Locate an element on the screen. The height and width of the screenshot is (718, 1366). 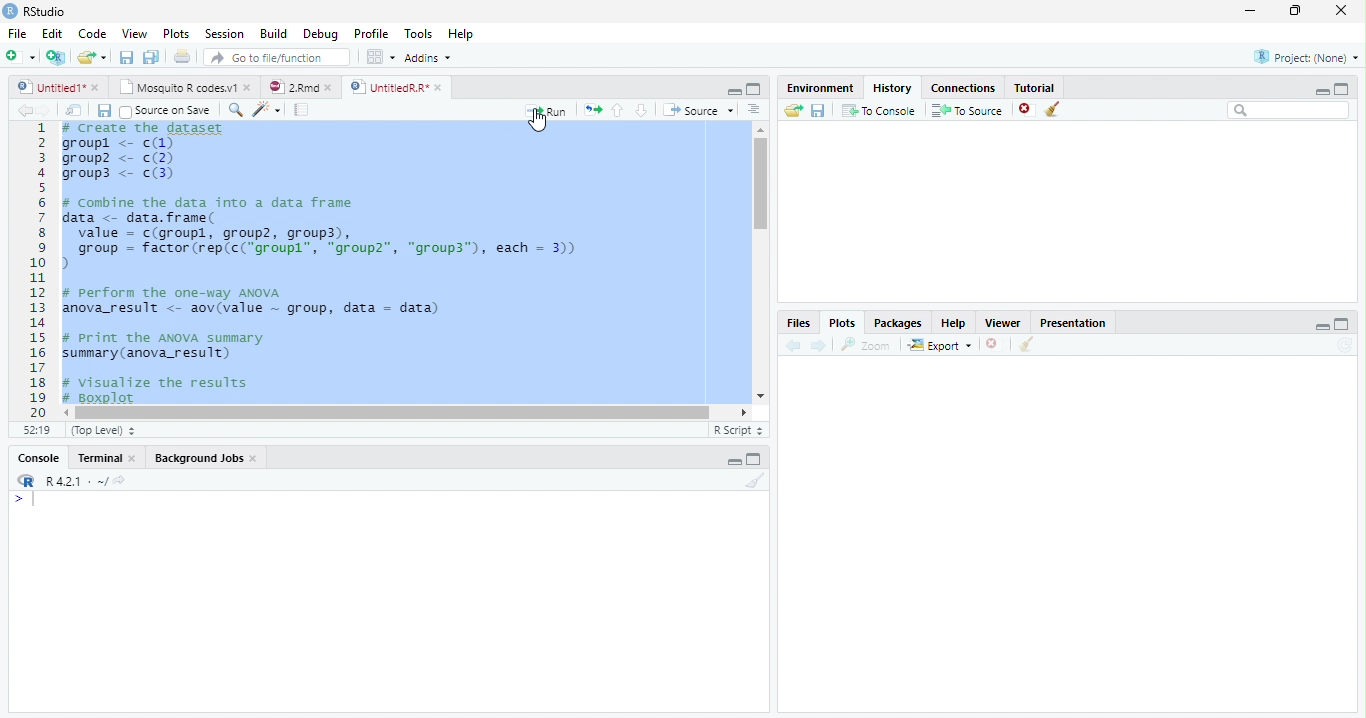
Export is located at coordinates (941, 345).